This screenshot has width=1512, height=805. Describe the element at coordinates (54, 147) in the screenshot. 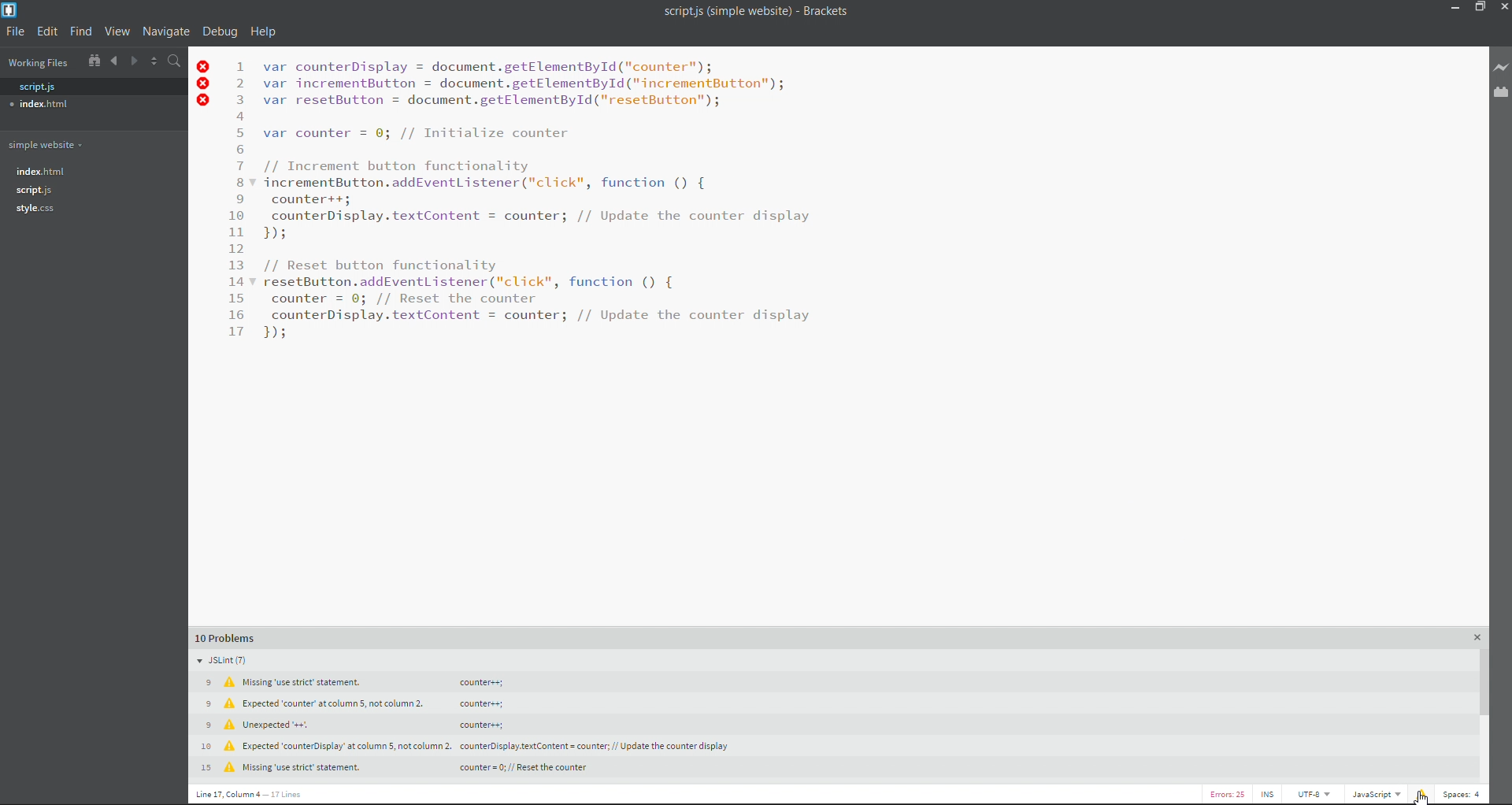

I see `simple website` at that location.